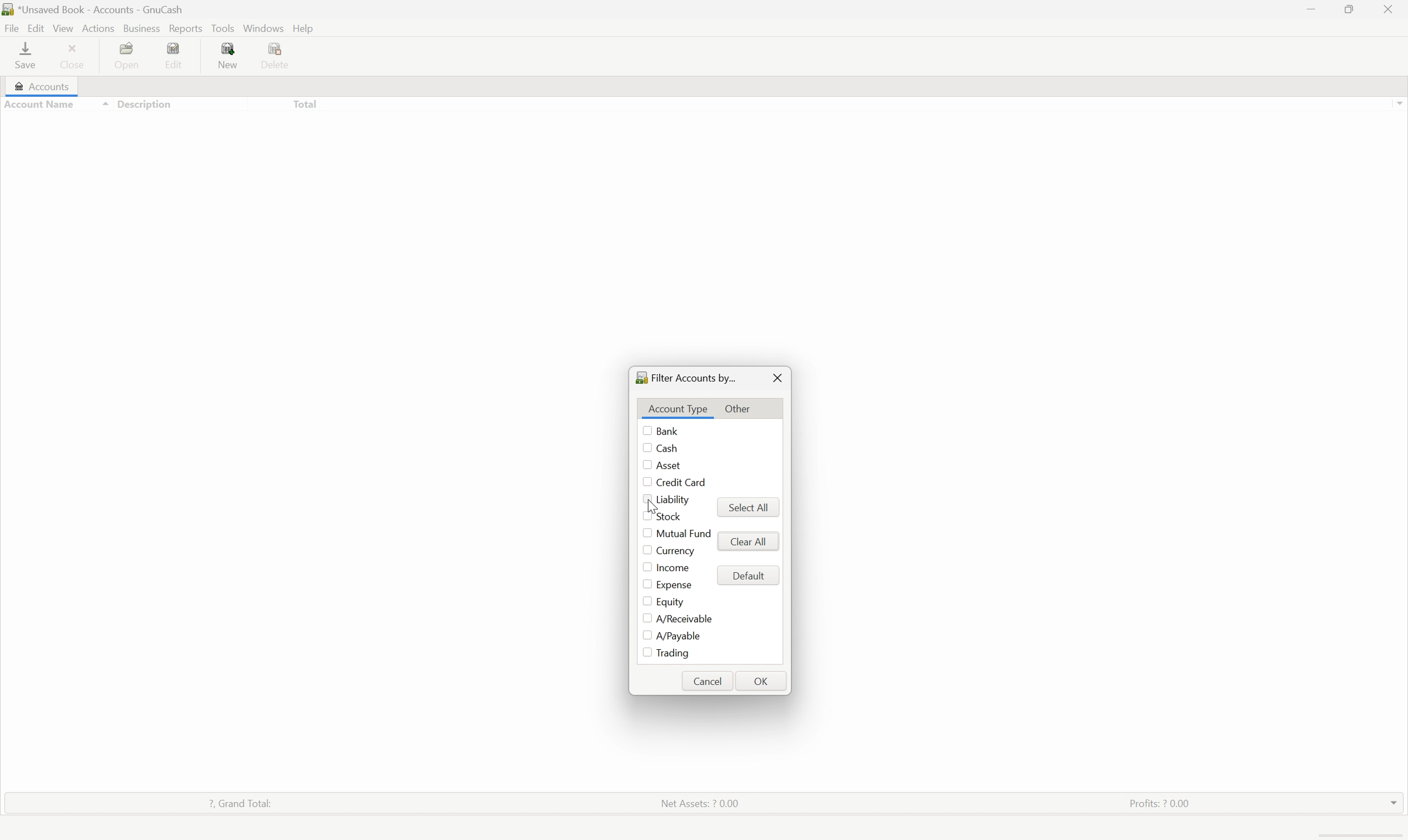 The width and height of the screenshot is (1408, 840). I want to click on Checkbox, so click(645, 654).